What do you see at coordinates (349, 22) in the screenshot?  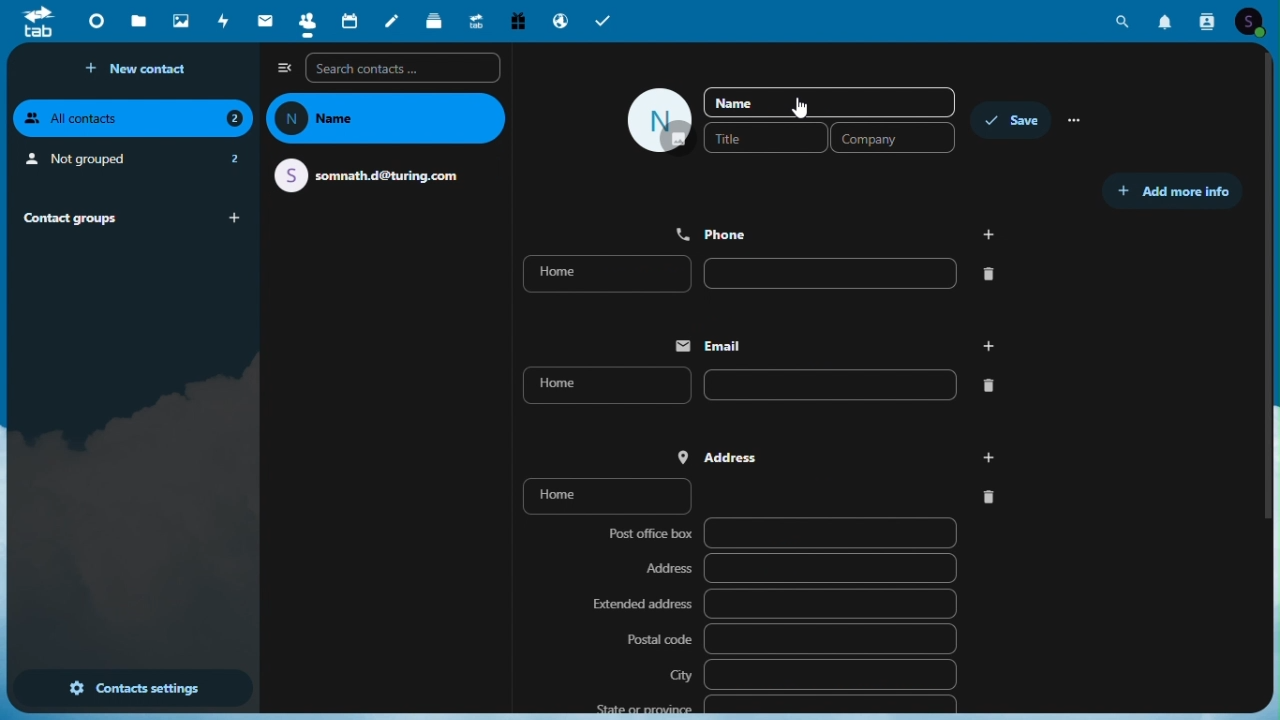 I see `Calendar` at bounding box center [349, 22].